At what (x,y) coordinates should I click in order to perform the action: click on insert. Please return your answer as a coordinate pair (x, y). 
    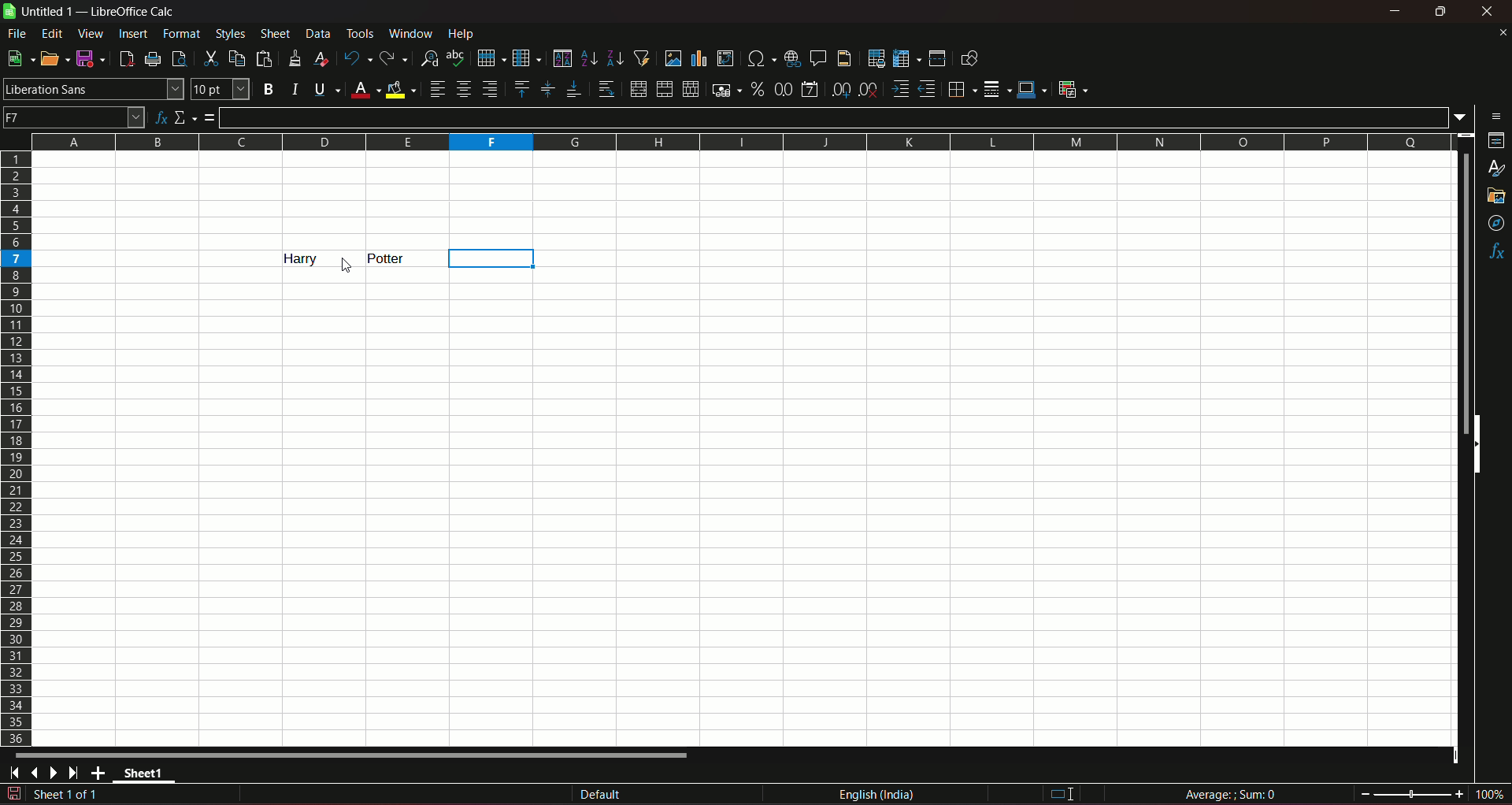
    Looking at the image, I should click on (132, 32).